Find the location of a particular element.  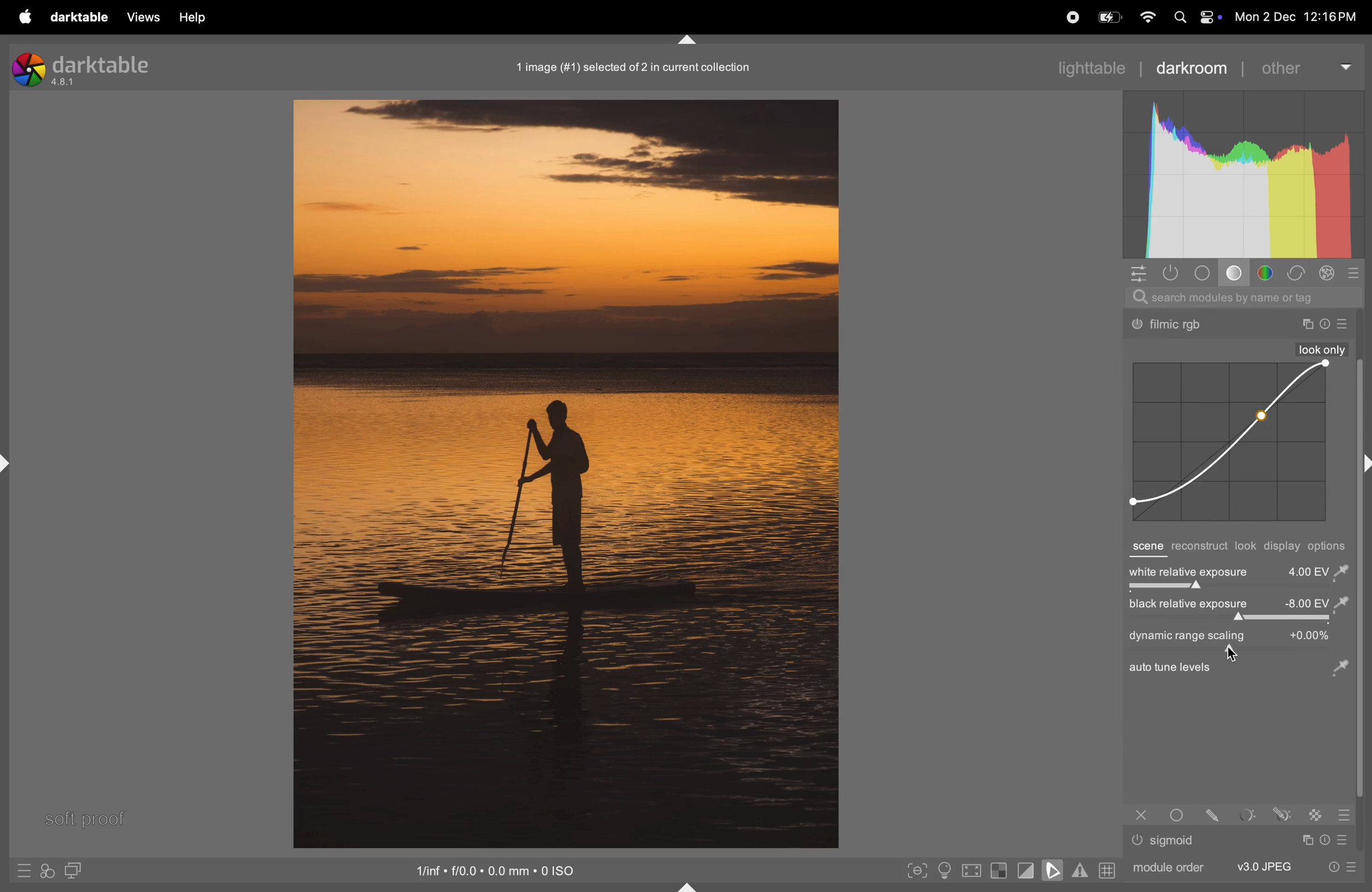

 is located at coordinates (1345, 324).